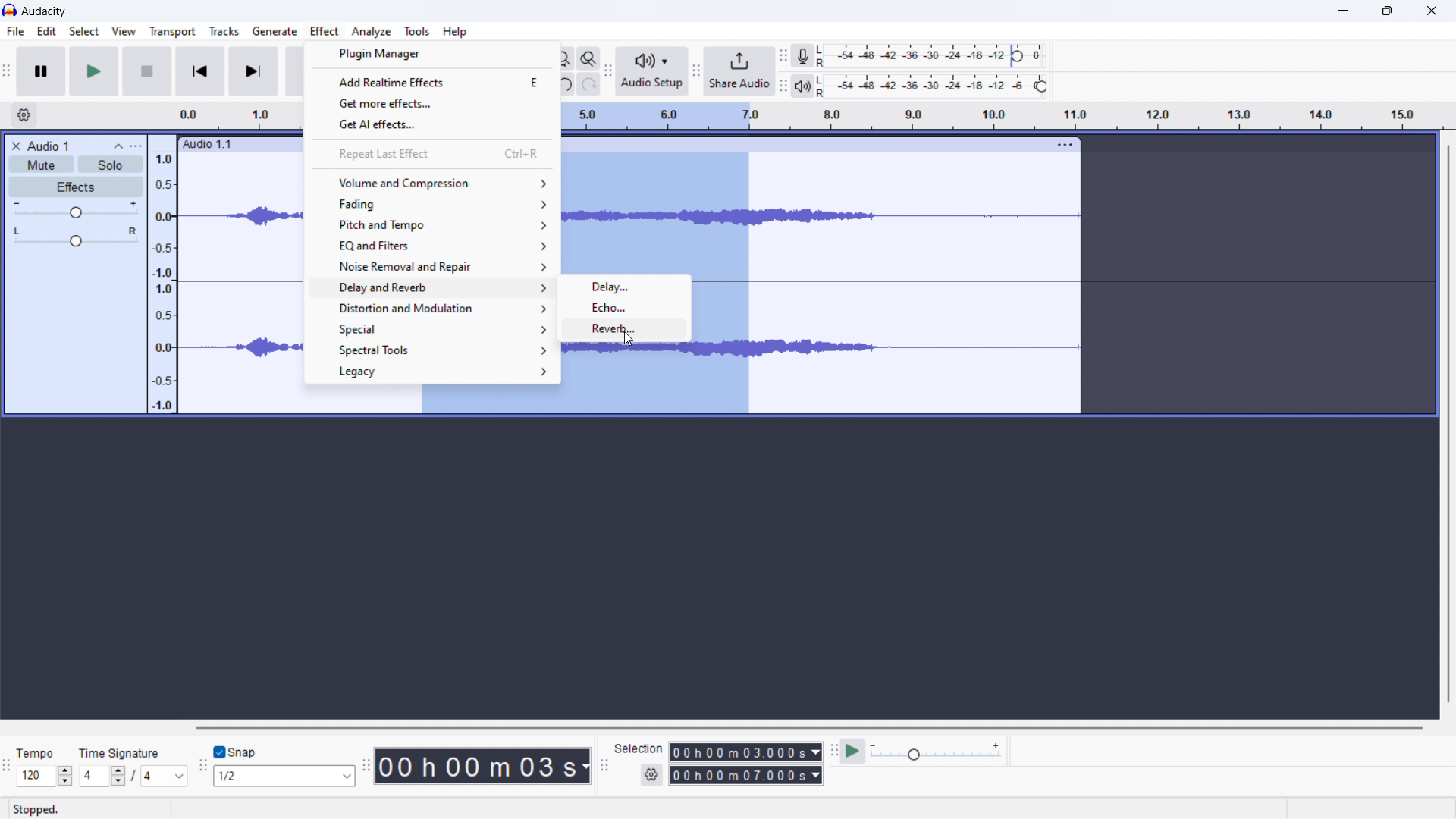 The image size is (1456, 819). Describe the element at coordinates (1345, 11) in the screenshot. I see `minimize` at that location.